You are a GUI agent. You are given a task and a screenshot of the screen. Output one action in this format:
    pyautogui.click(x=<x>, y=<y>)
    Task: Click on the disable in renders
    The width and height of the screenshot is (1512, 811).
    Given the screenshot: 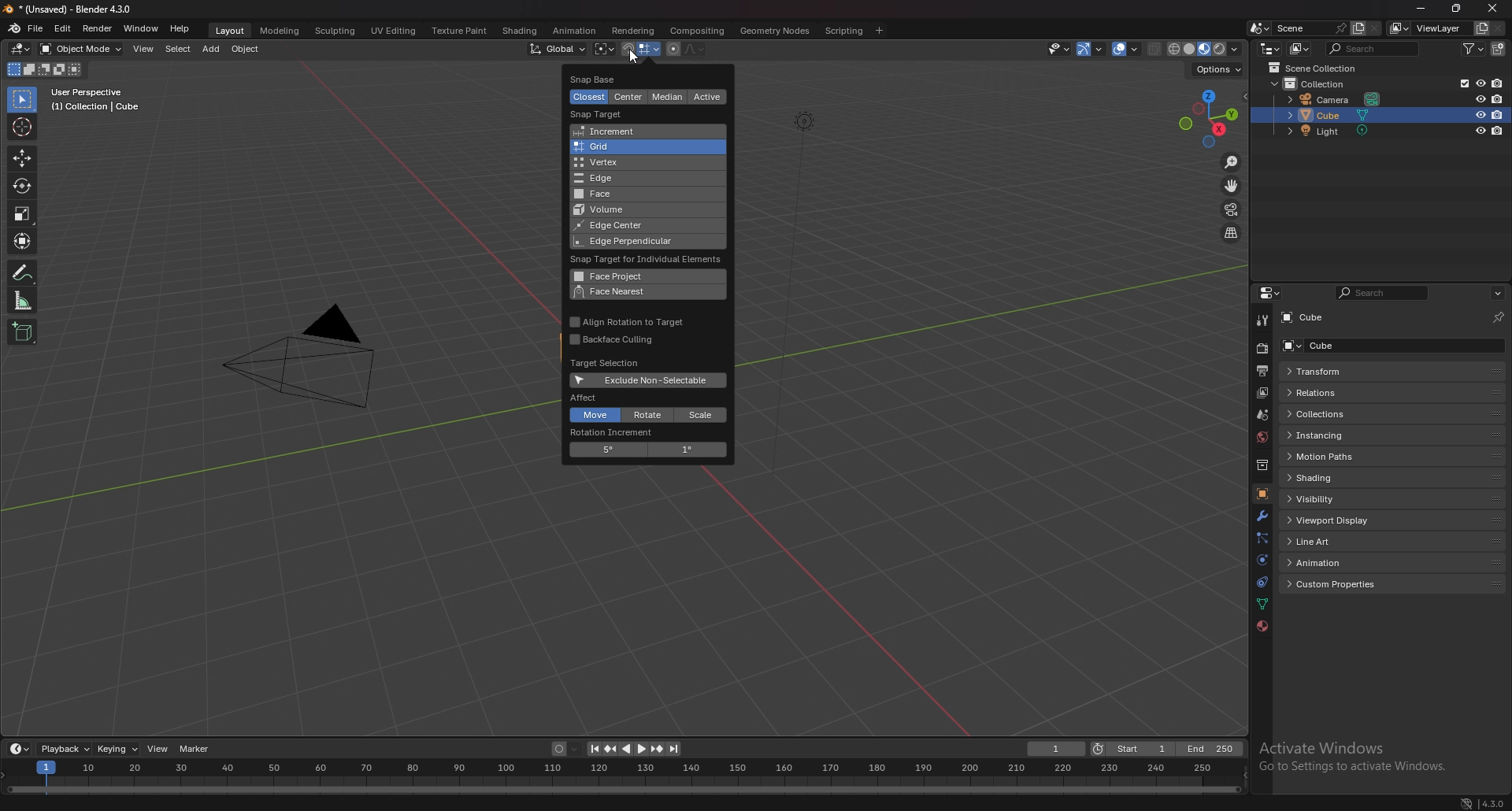 What is the action you would take?
    pyautogui.click(x=1498, y=98)
    